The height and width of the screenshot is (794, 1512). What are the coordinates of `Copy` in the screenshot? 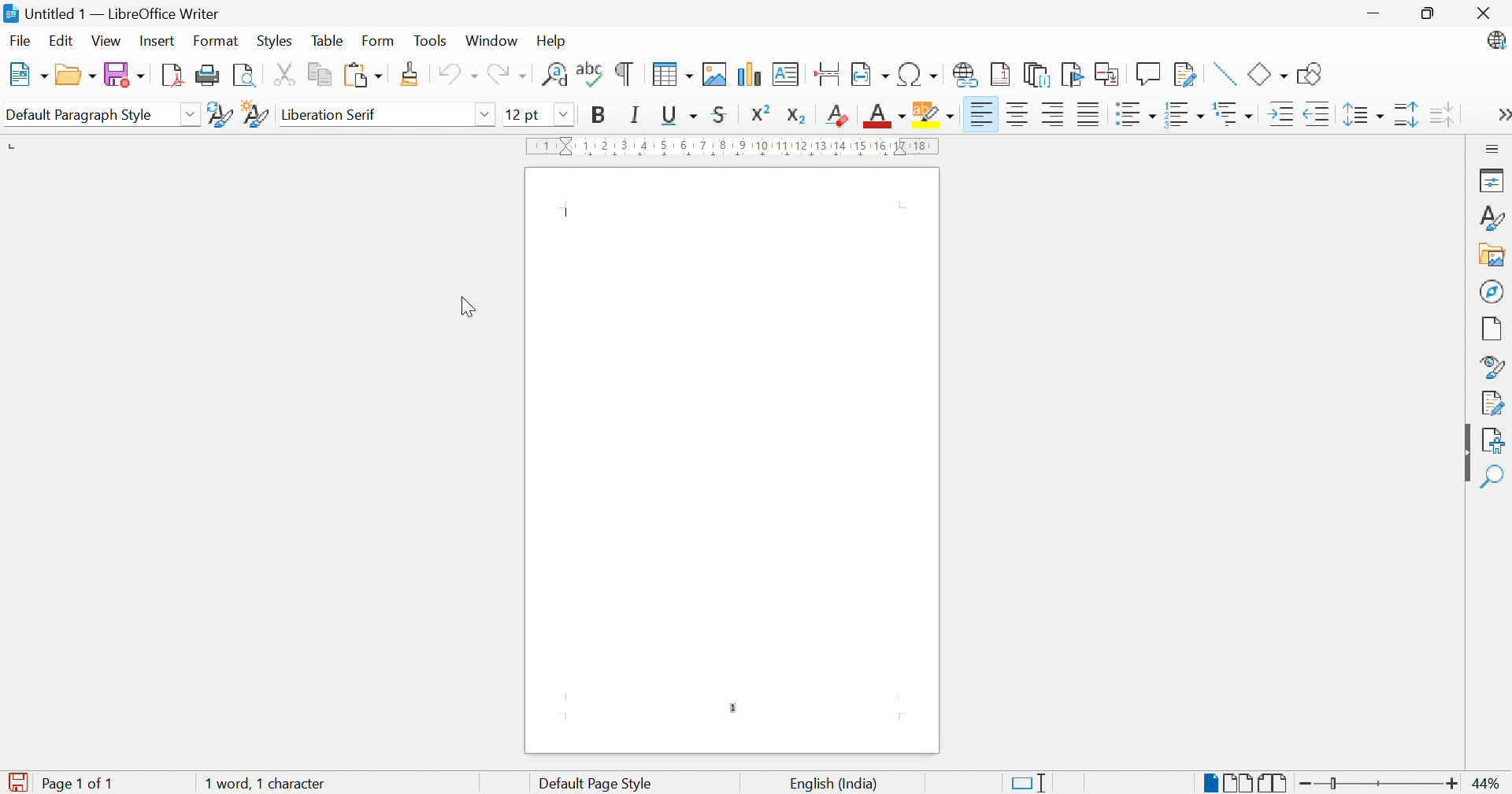 It's located at (321, 73).